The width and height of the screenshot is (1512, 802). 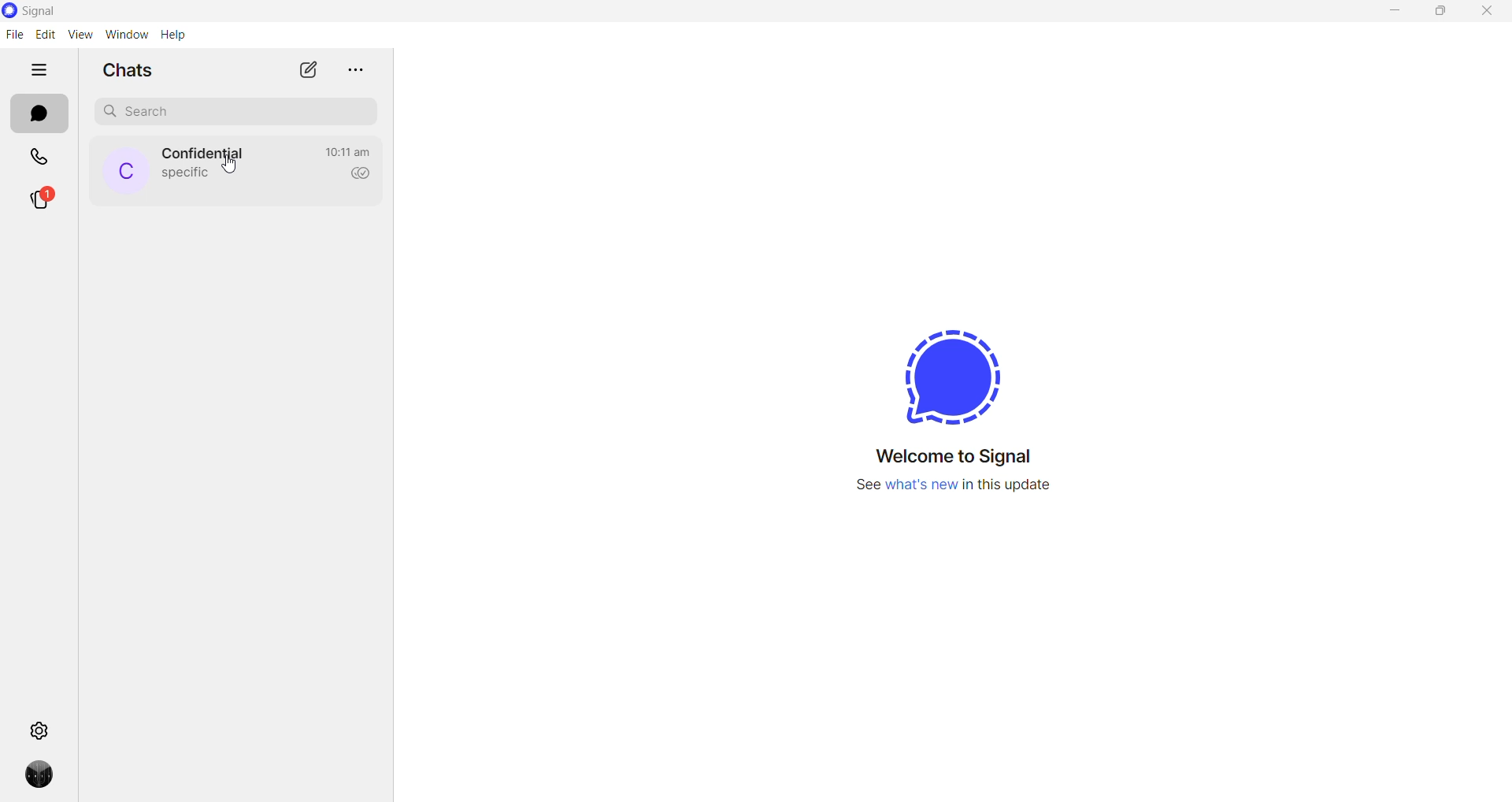 What do you see at coordinates (37, 157) in the screenshot?
I see `calls` at bounding box center [37, 157].